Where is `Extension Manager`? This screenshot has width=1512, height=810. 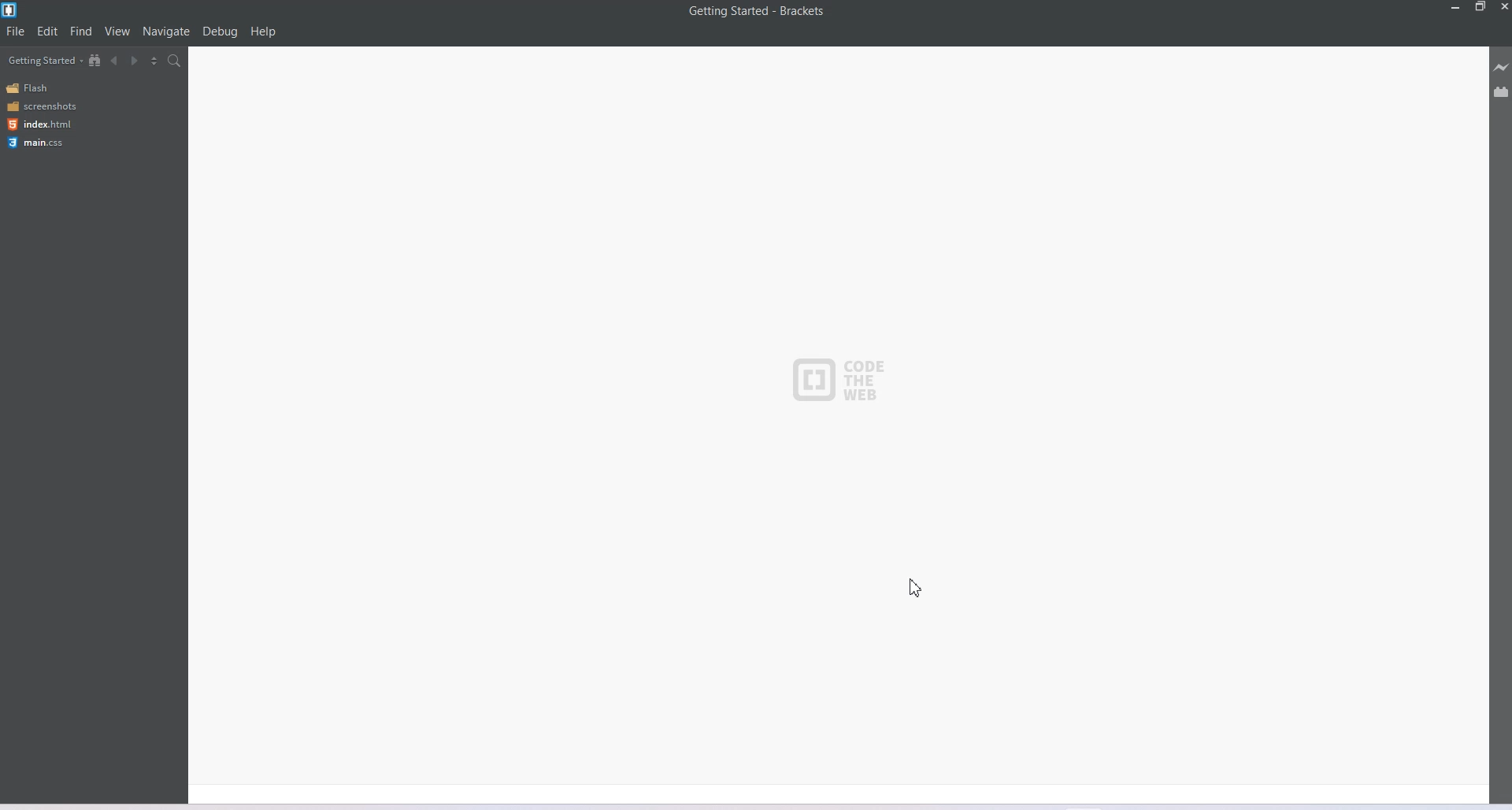
Extension Manager is located at coordinates (1502, 91).